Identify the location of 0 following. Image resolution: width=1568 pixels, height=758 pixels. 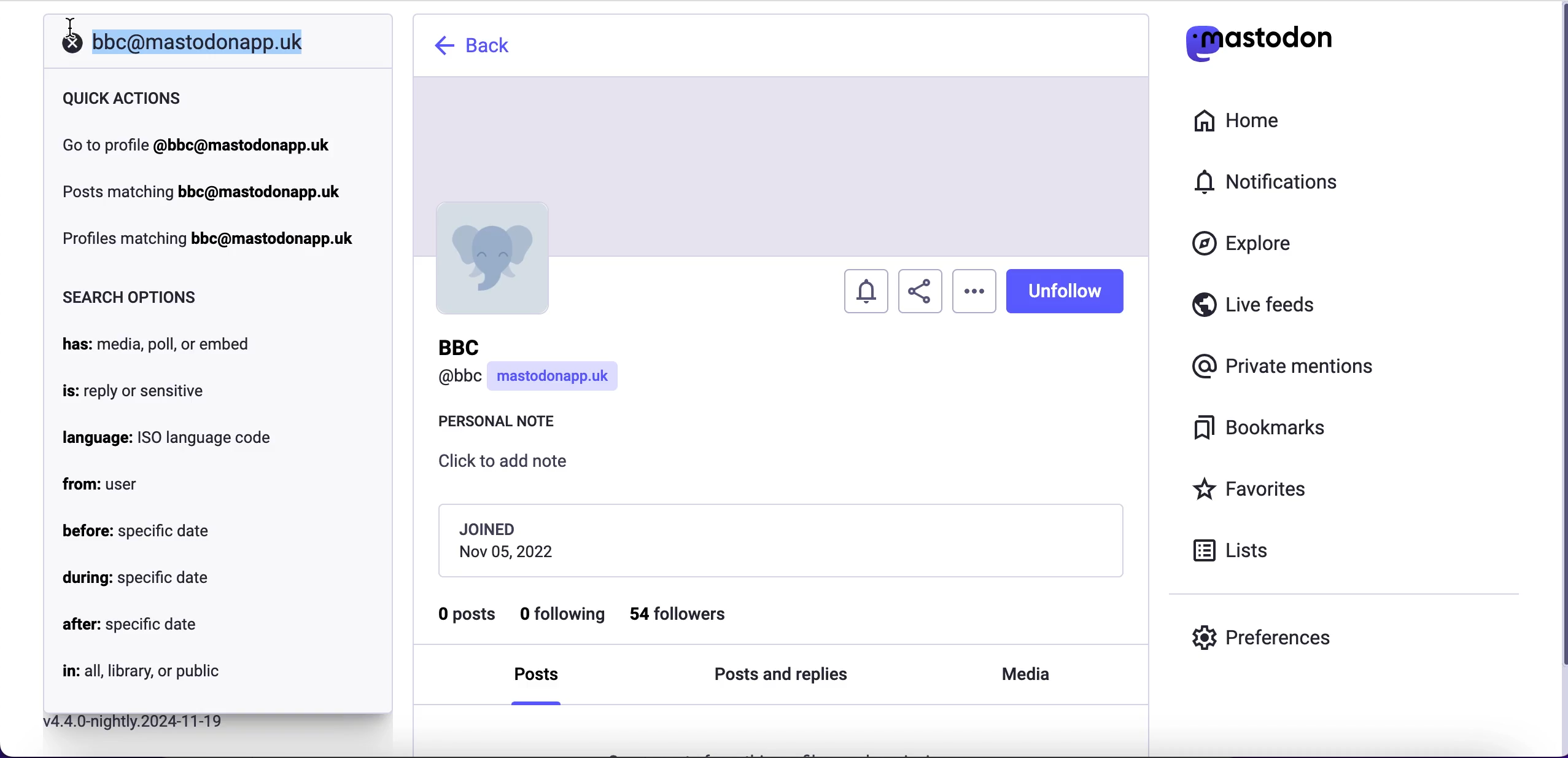
(564, 616).